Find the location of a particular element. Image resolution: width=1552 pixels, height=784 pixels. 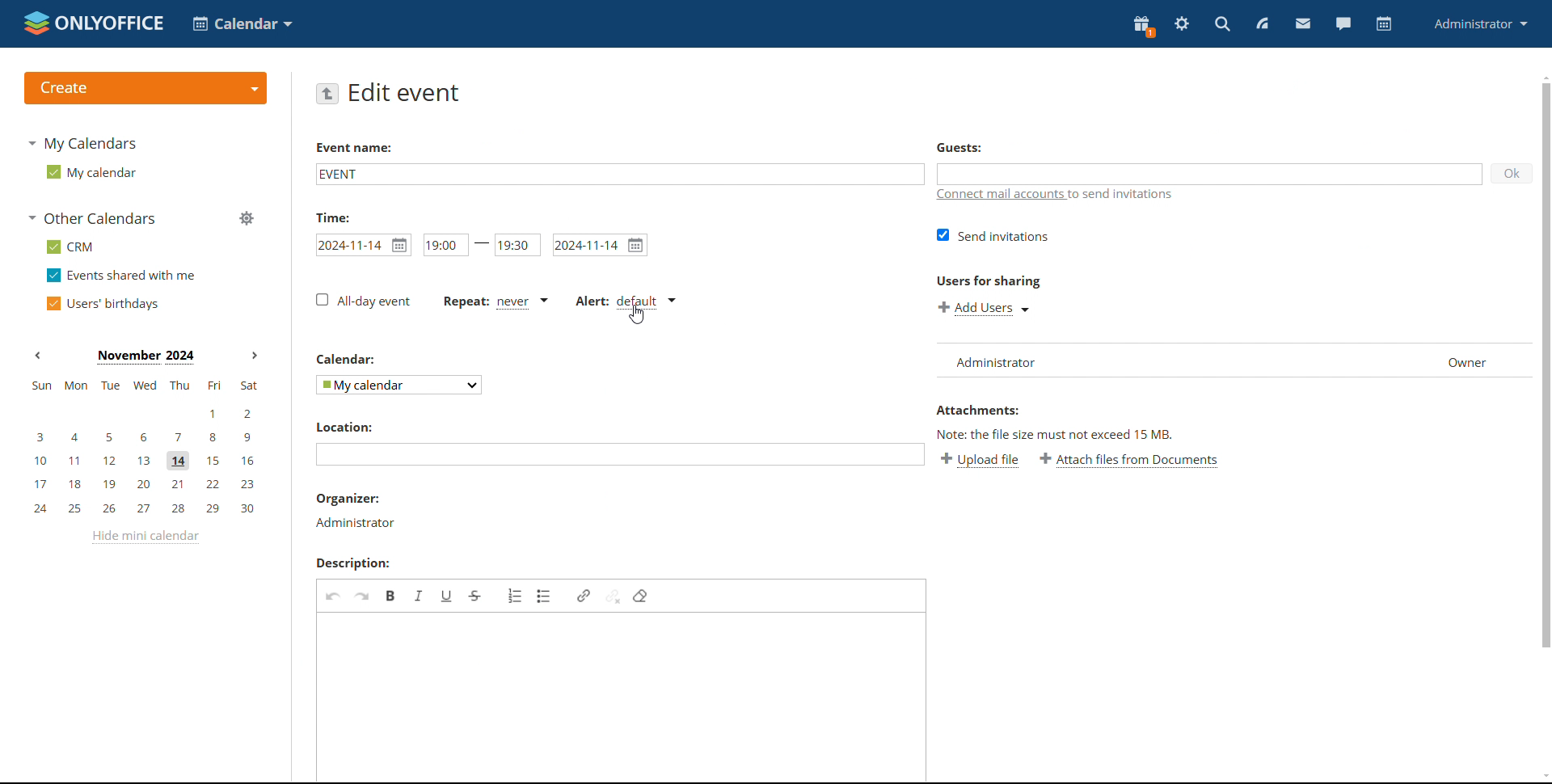

send invitations is located at coordinates (993, 234).